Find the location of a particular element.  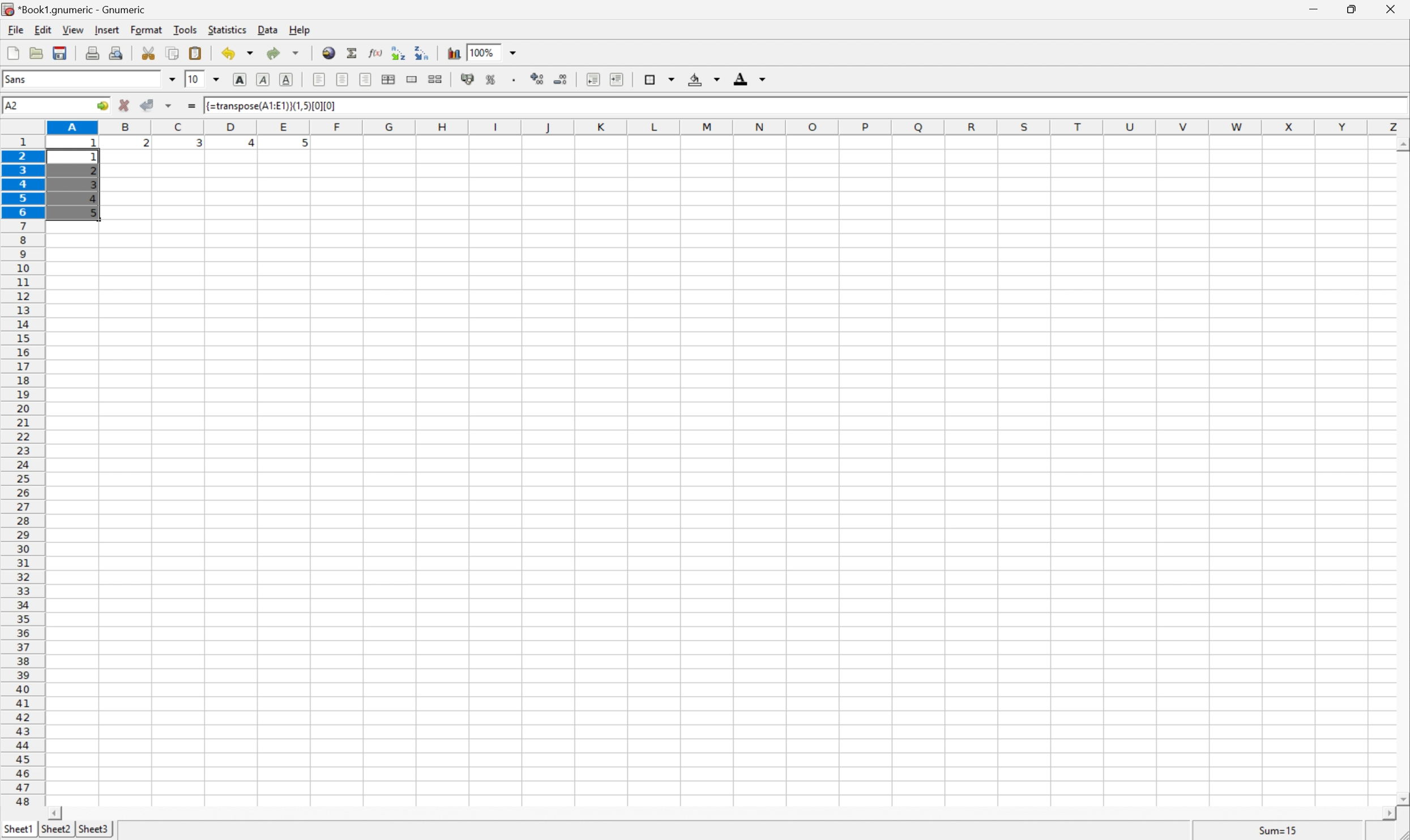

copy is located at coordinates (174, 52).